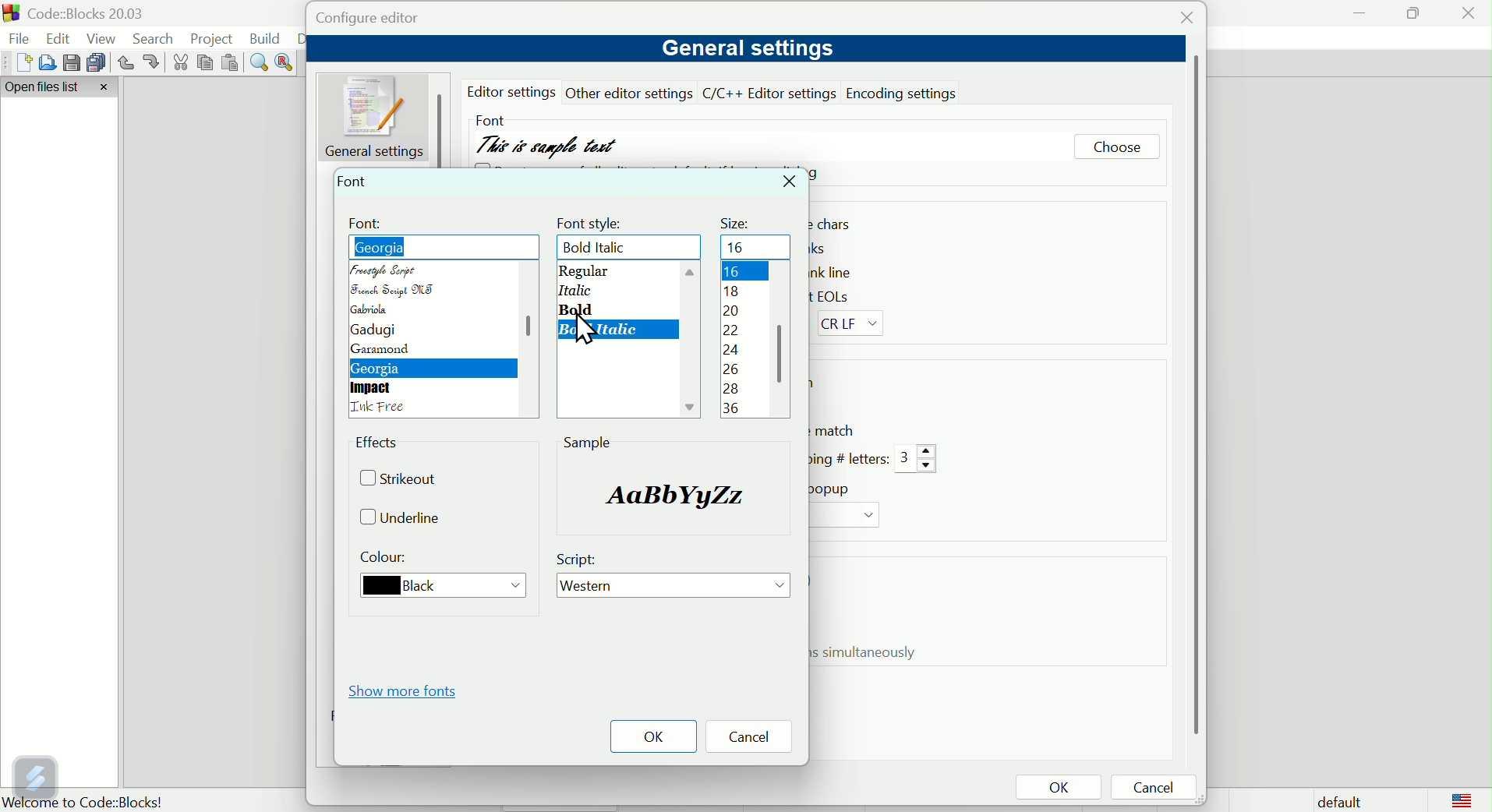 The image size is (1492, 812). I want to click on Font, so click(489, 117).